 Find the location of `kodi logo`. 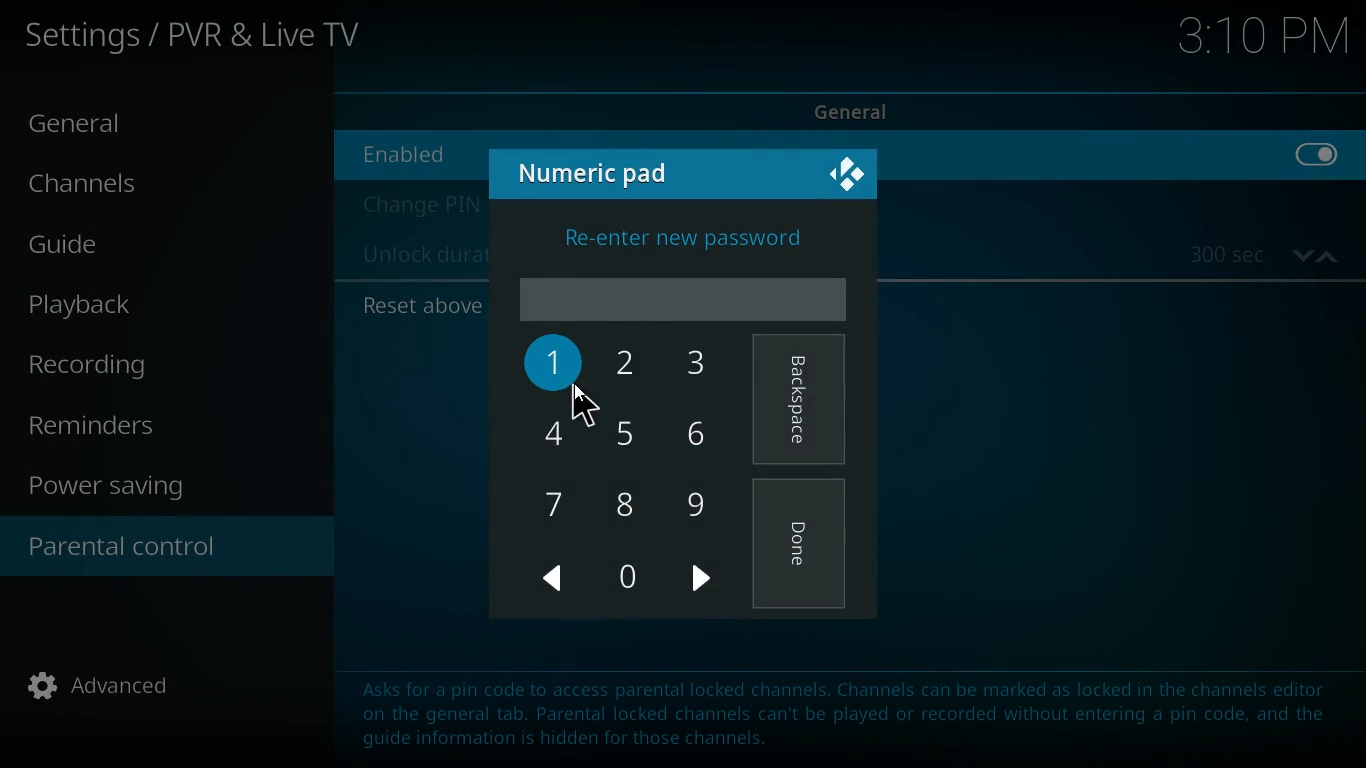

kodi logo is located at coordinates (849, 177).